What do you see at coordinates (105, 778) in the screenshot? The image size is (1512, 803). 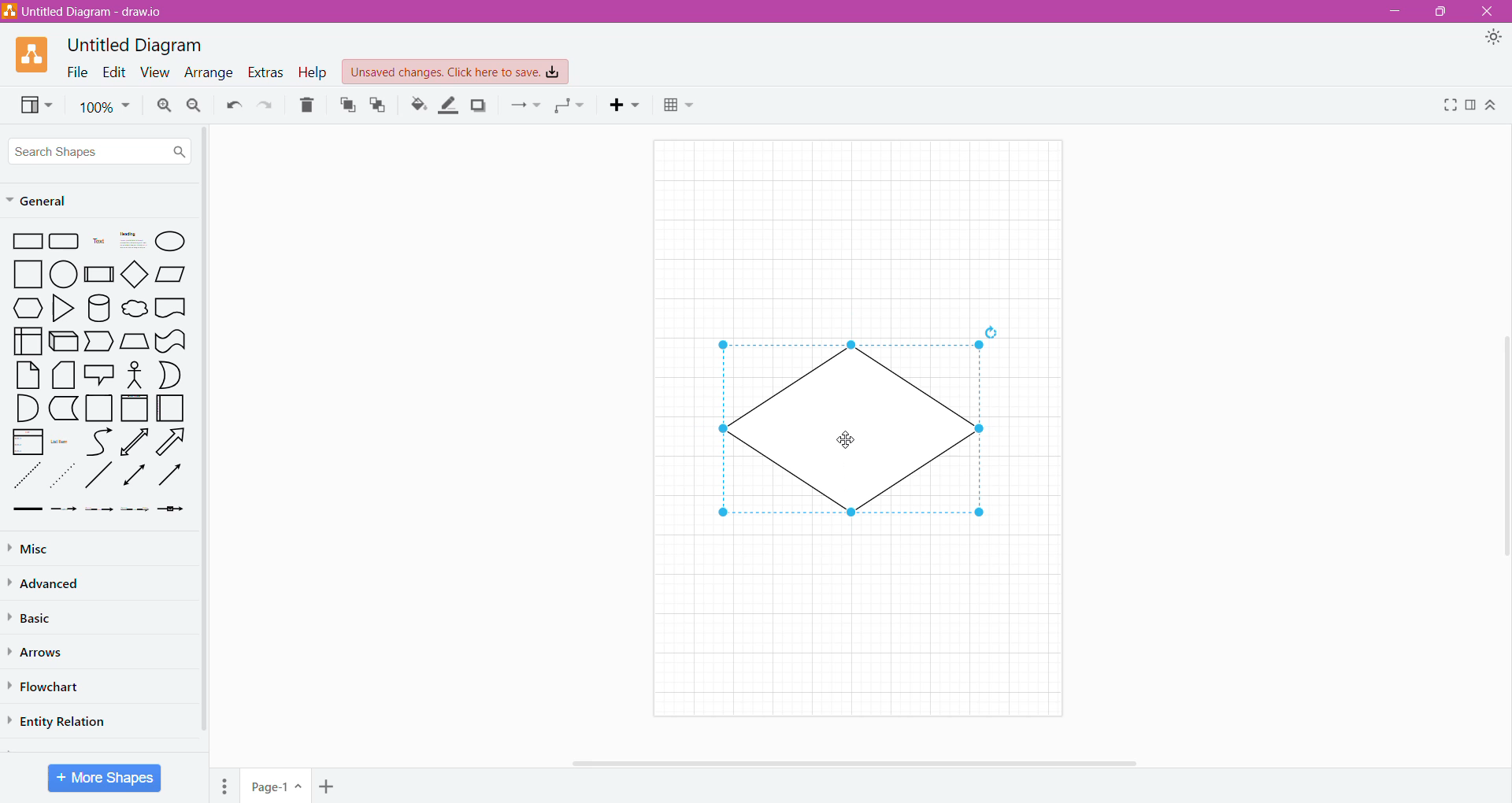 I see `More Shapes` at bounding box center [105, 778].